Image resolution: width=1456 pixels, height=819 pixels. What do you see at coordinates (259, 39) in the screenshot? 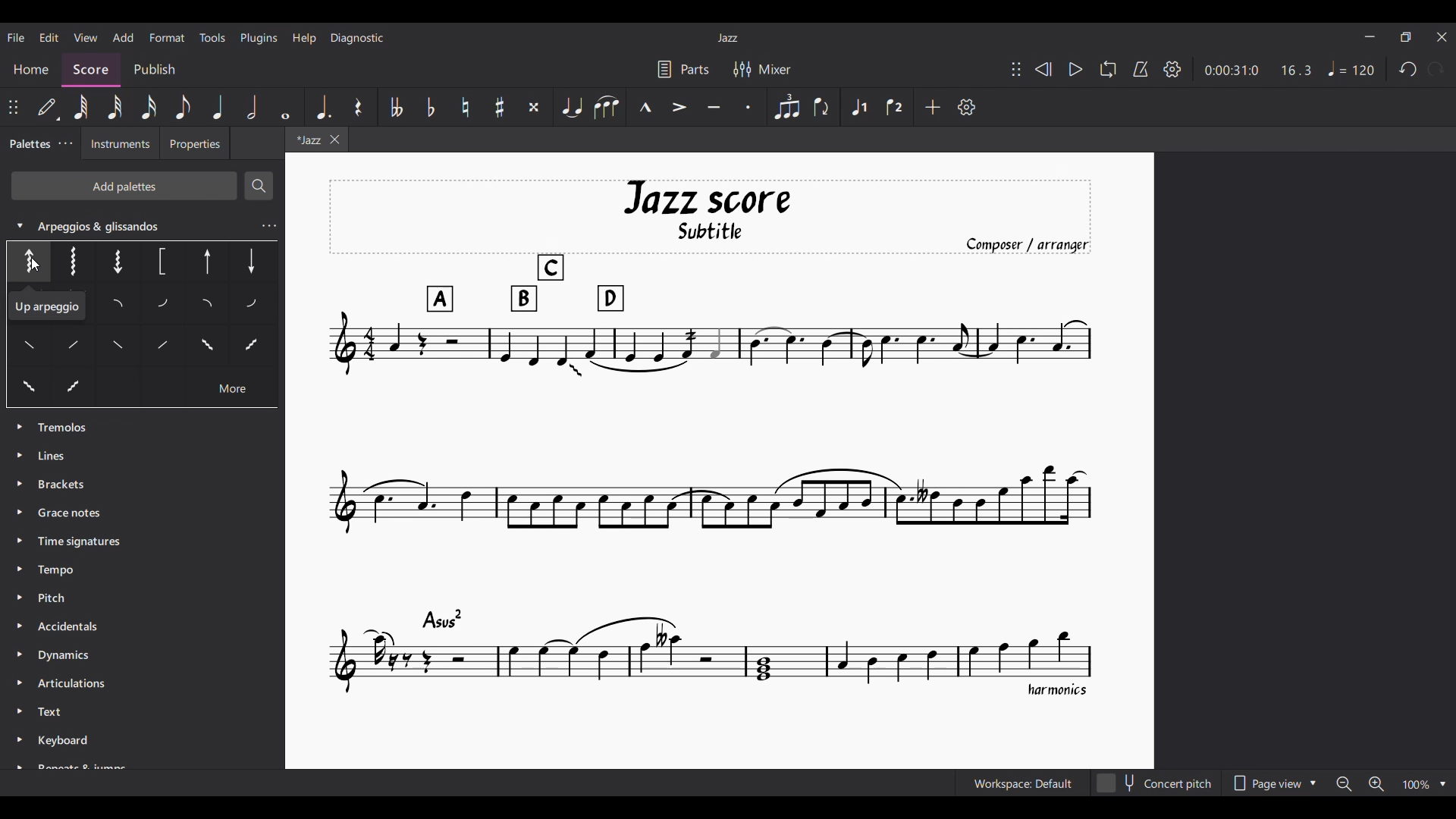
I see `Plugins menu` at bounding box center [259, 39].